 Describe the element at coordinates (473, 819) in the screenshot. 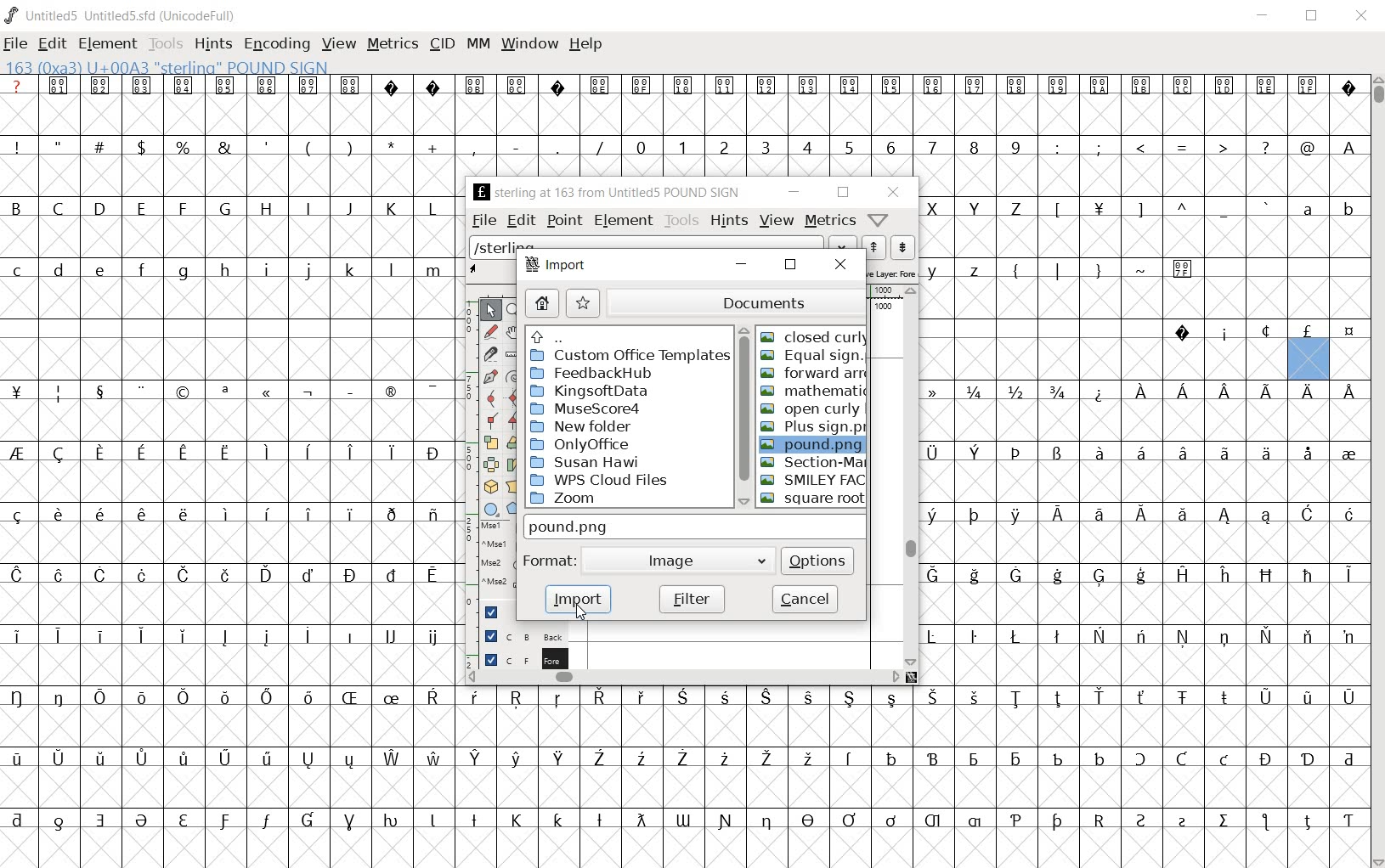

I see `Symbol` at that location.